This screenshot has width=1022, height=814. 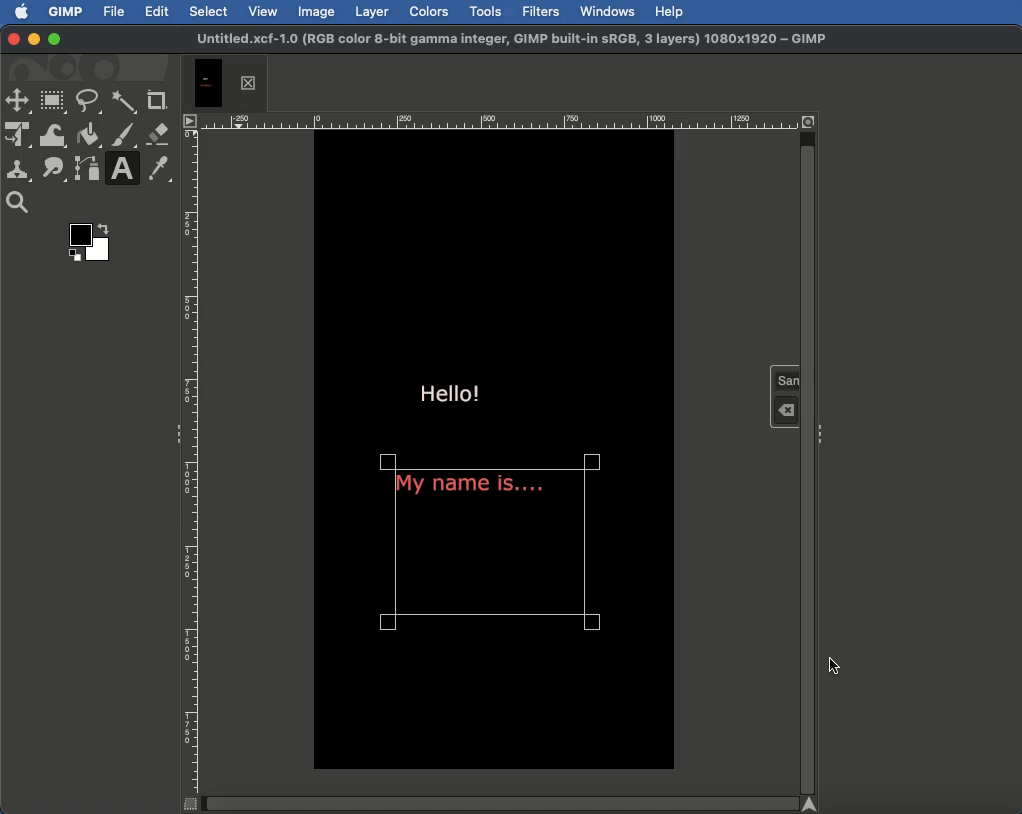 I want to click on Crop, so click(x=157, y=100).